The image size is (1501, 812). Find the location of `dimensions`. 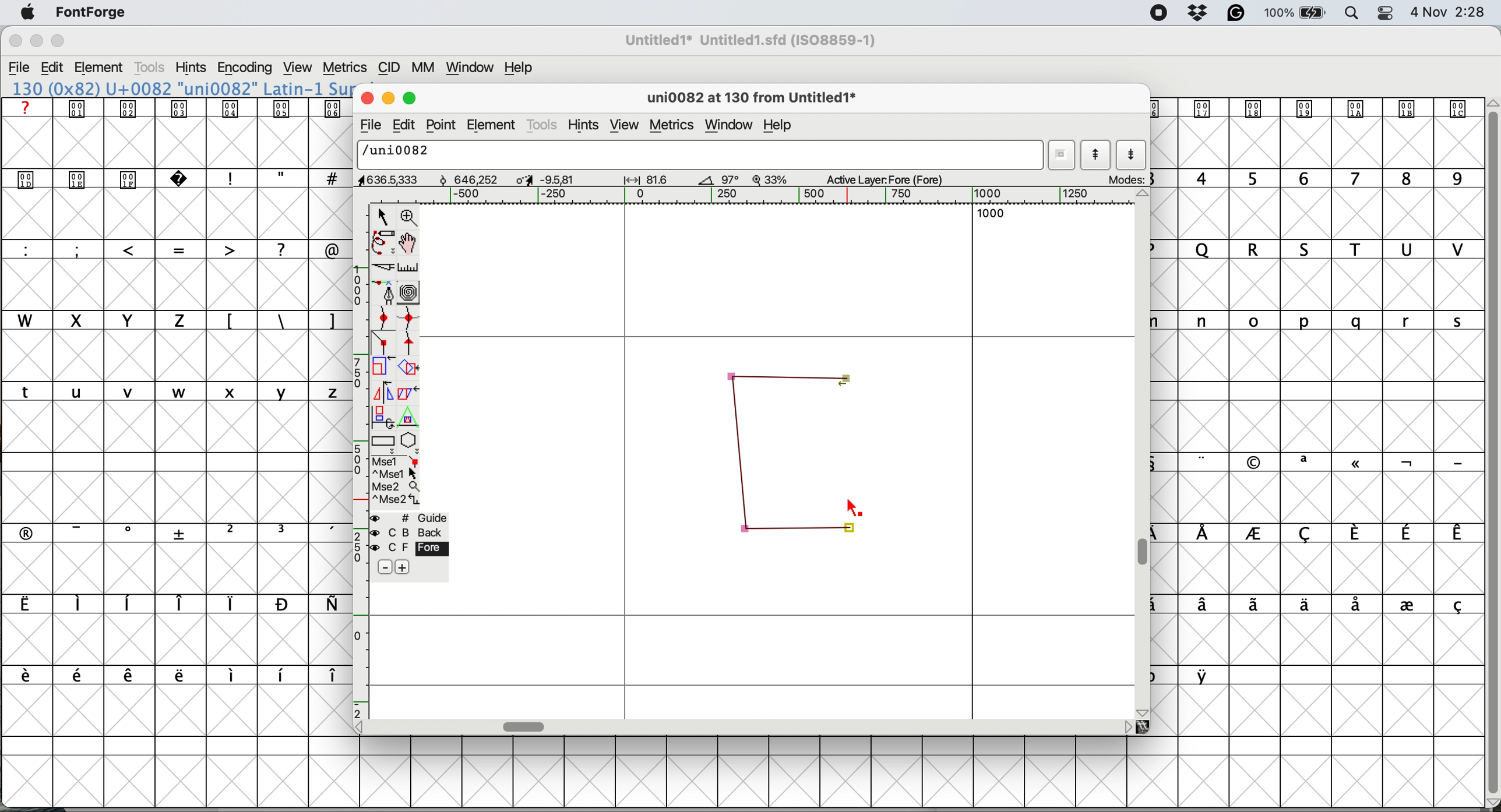

dimensions is located at coordinates (541, 179).